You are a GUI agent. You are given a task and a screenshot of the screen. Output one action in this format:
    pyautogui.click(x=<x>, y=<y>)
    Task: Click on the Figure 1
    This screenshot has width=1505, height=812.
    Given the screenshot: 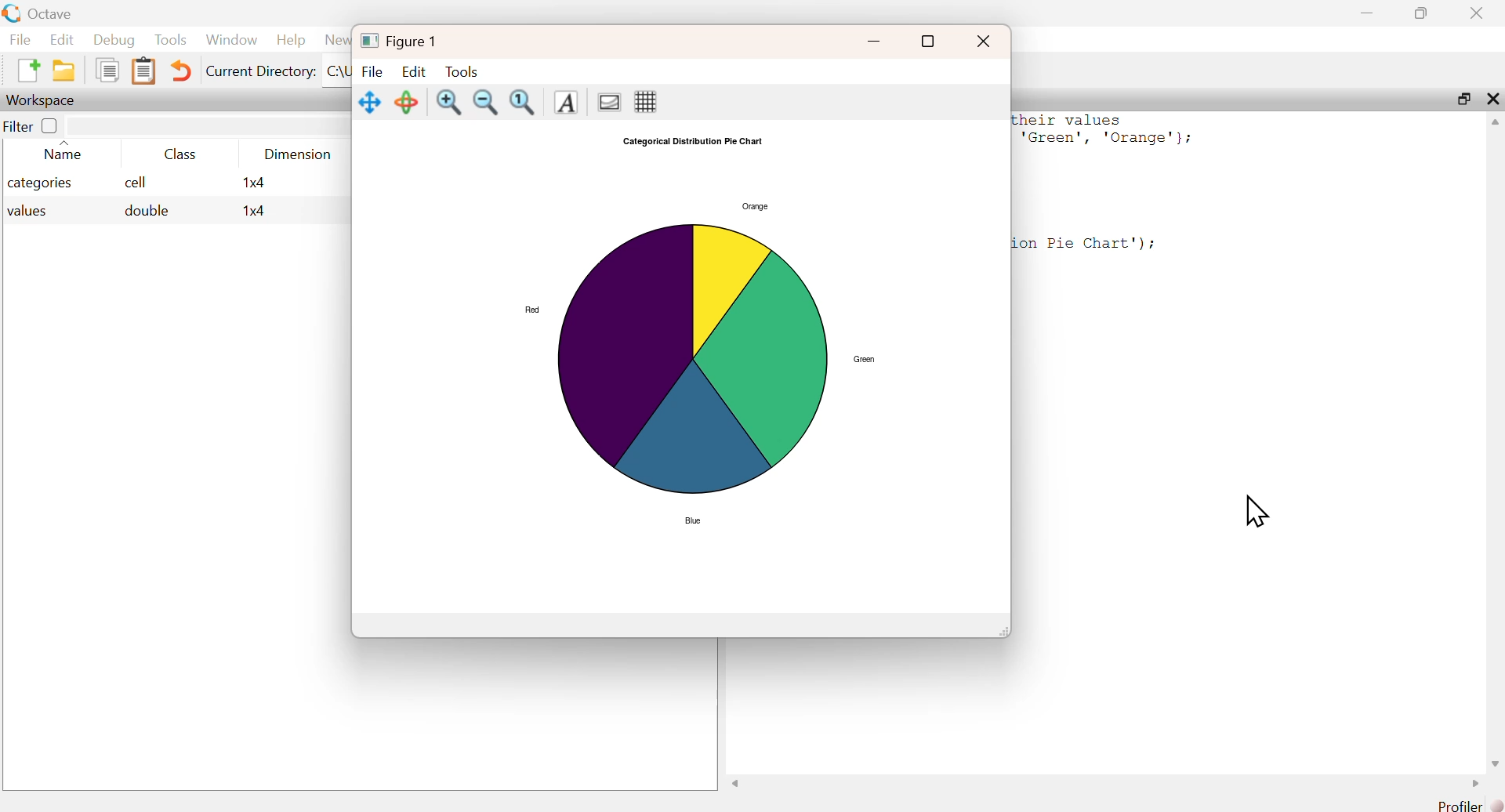 What is the action you would take?
    pyautogui.click(x=398, y=41)
    